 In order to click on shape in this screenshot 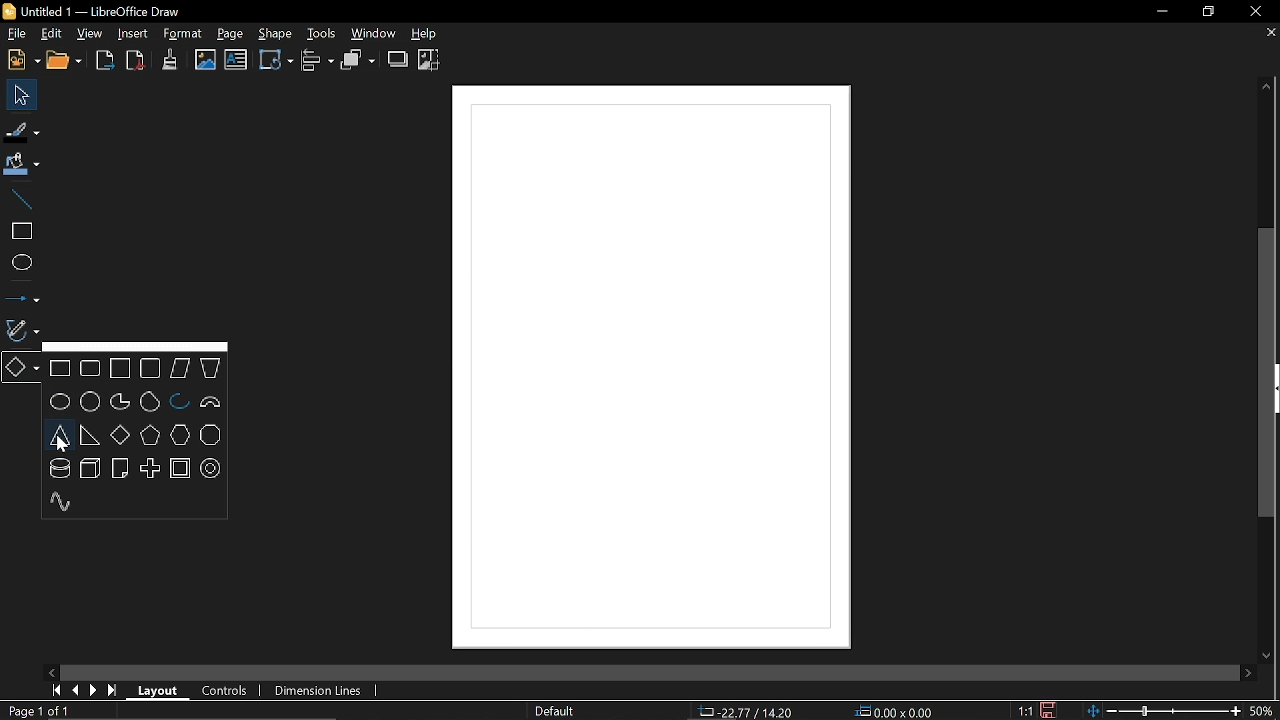, I will do `click(274, 33)`.